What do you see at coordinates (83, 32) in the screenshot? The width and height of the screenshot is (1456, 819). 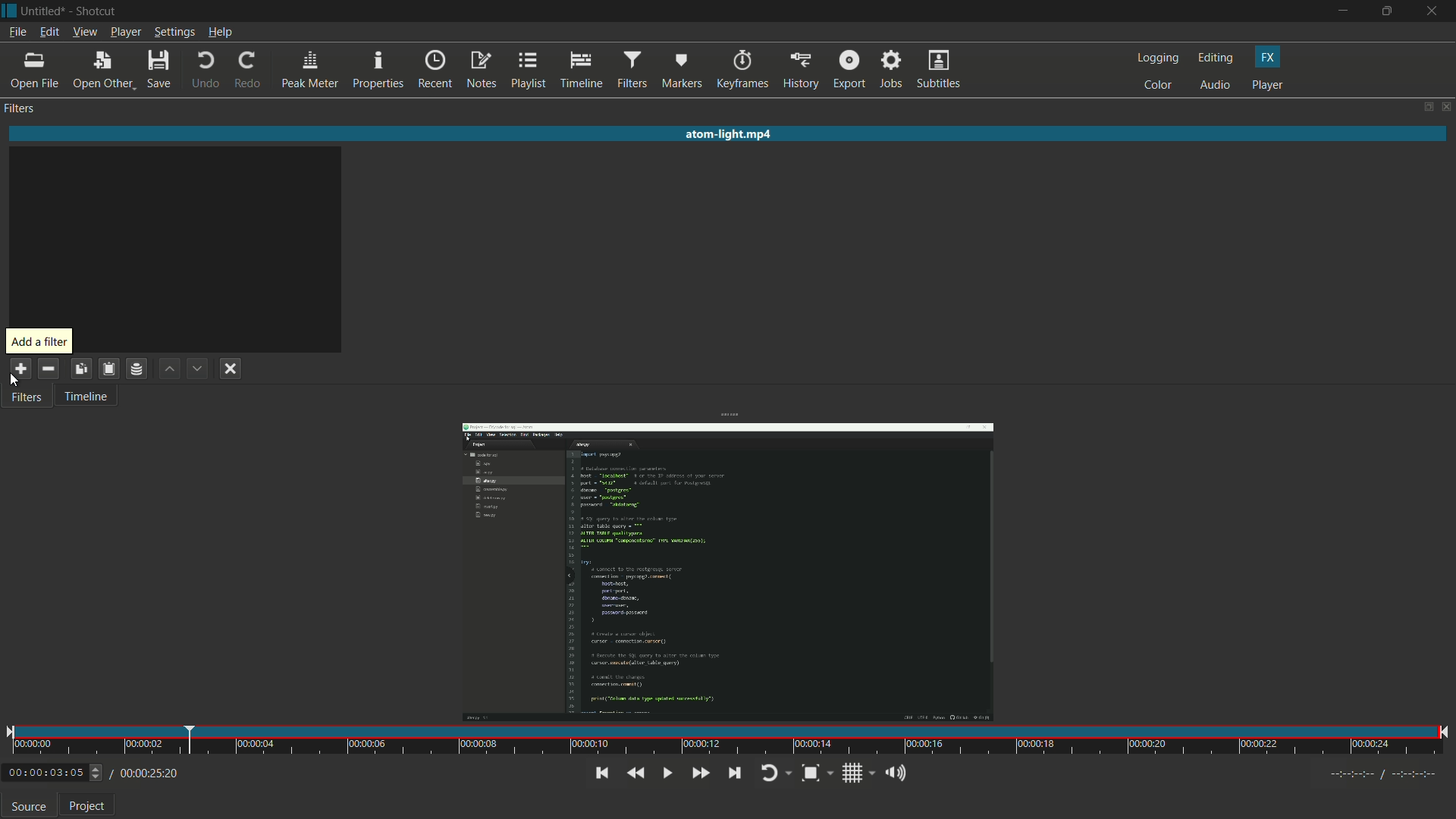 I see `view menu` at bounding box center [83, 32].